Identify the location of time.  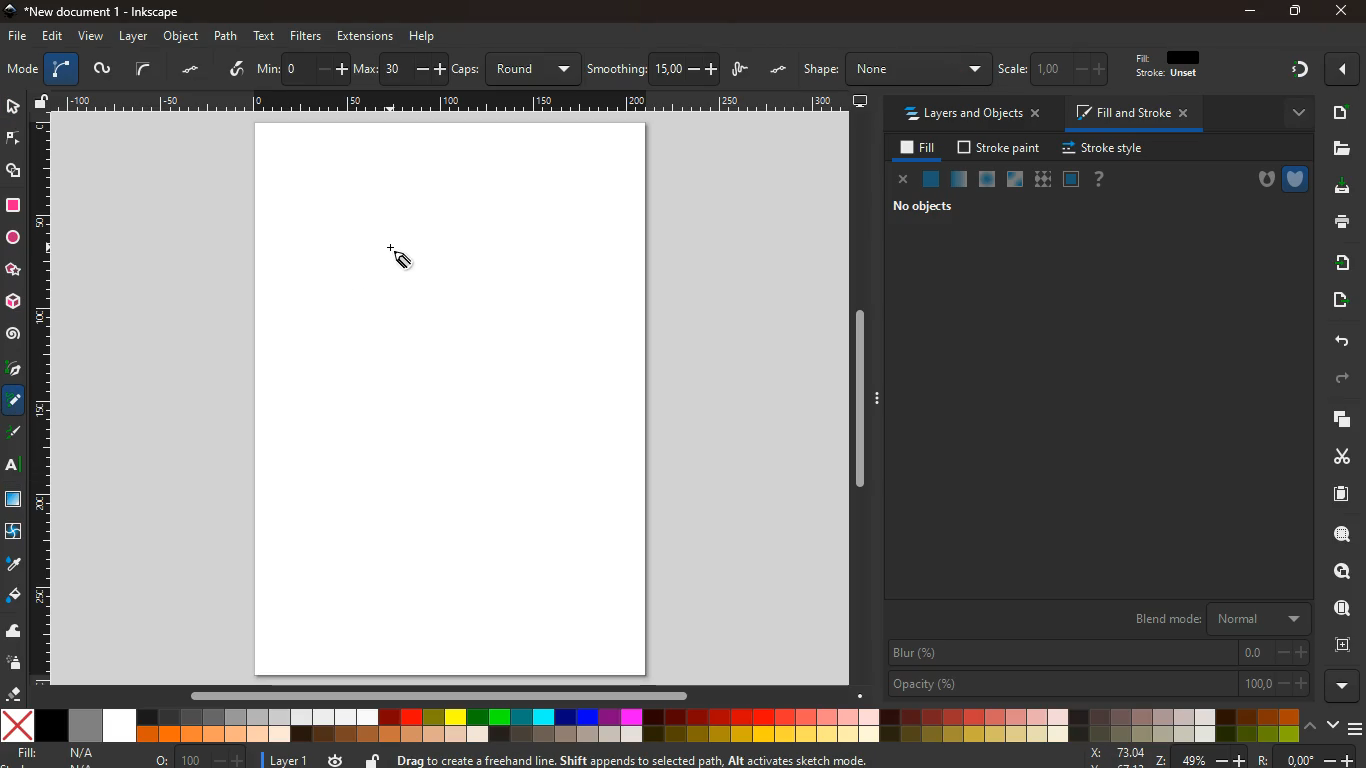
(335, 759).